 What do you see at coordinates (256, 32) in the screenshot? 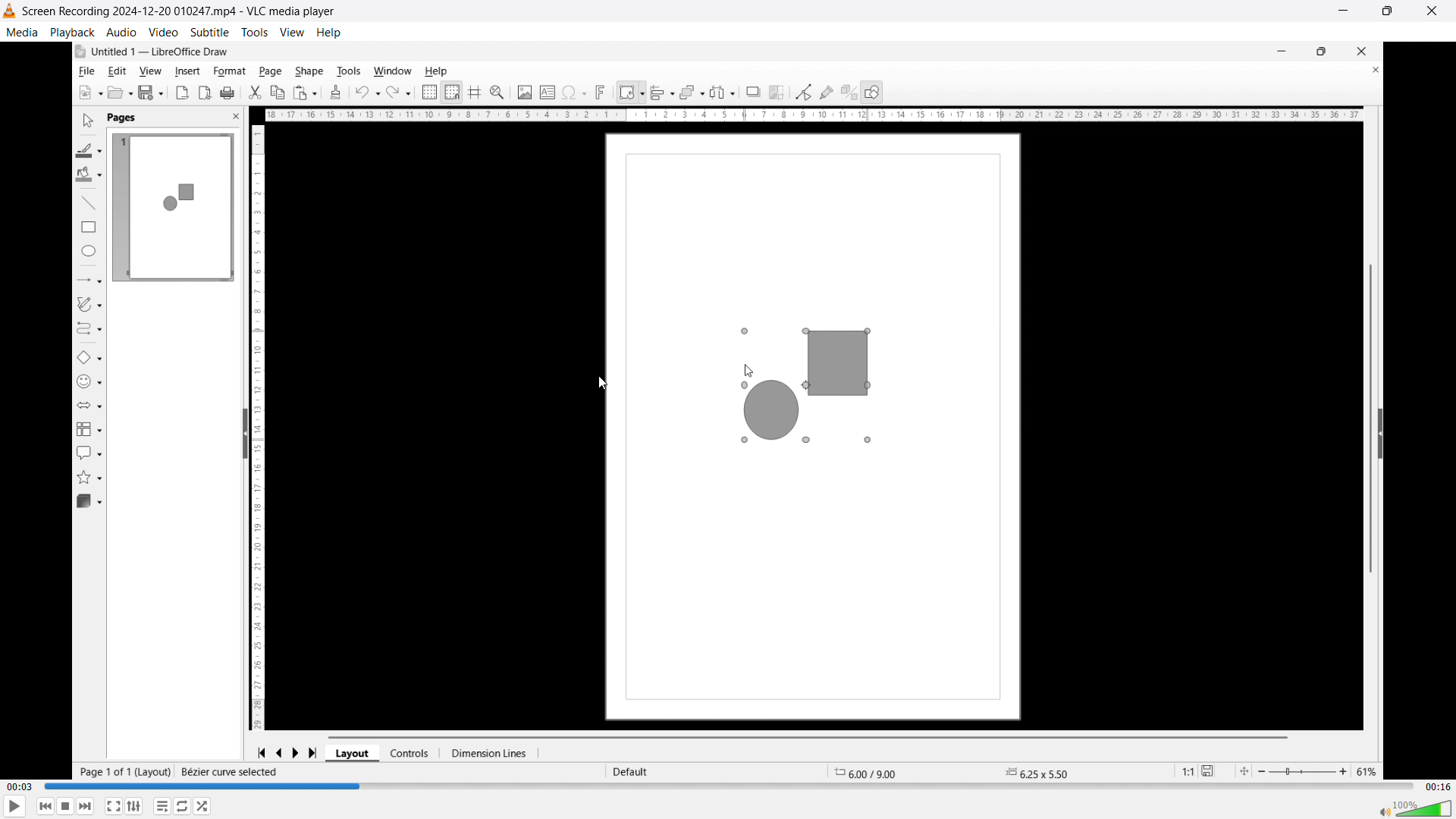
I see `tools` at bounding box center [256, 32].